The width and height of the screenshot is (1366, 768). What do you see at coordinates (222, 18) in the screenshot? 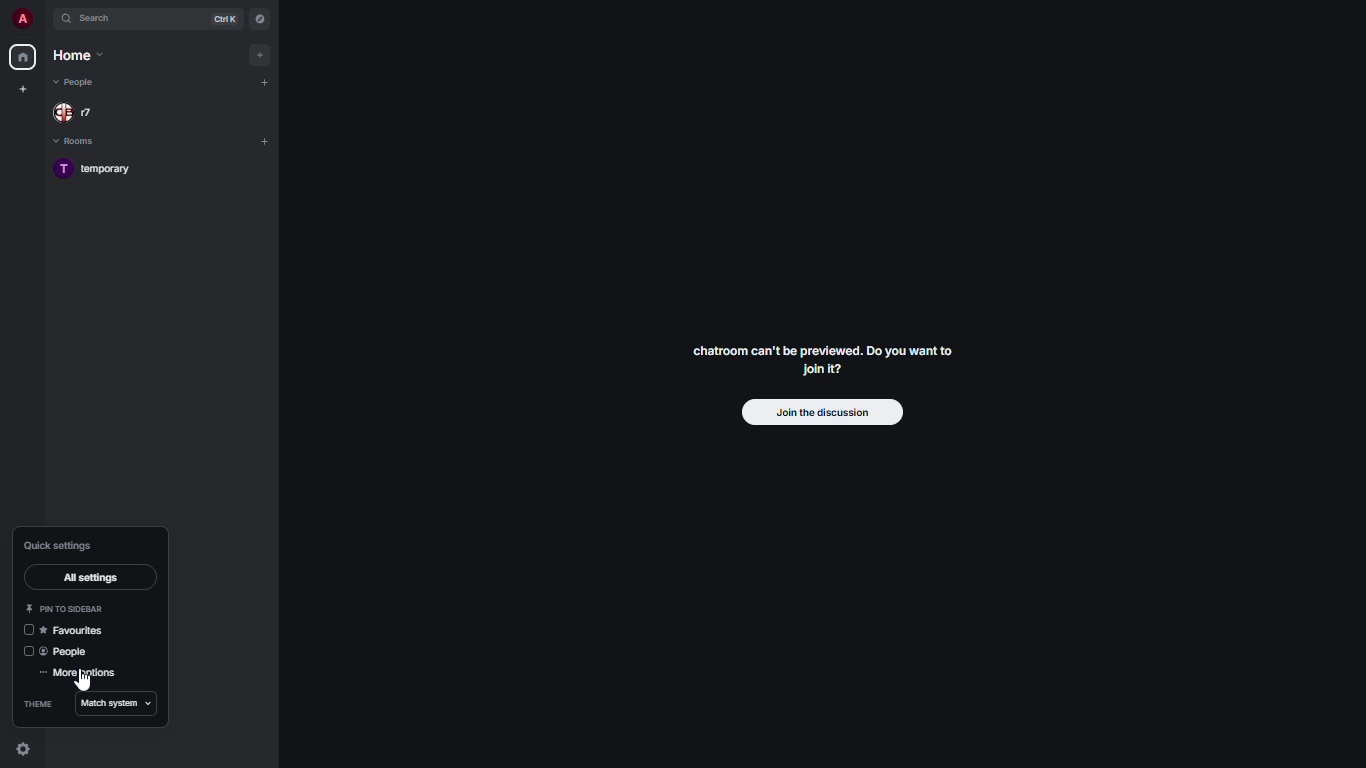
I see `ctrl K` at bounding box center [222, 18].